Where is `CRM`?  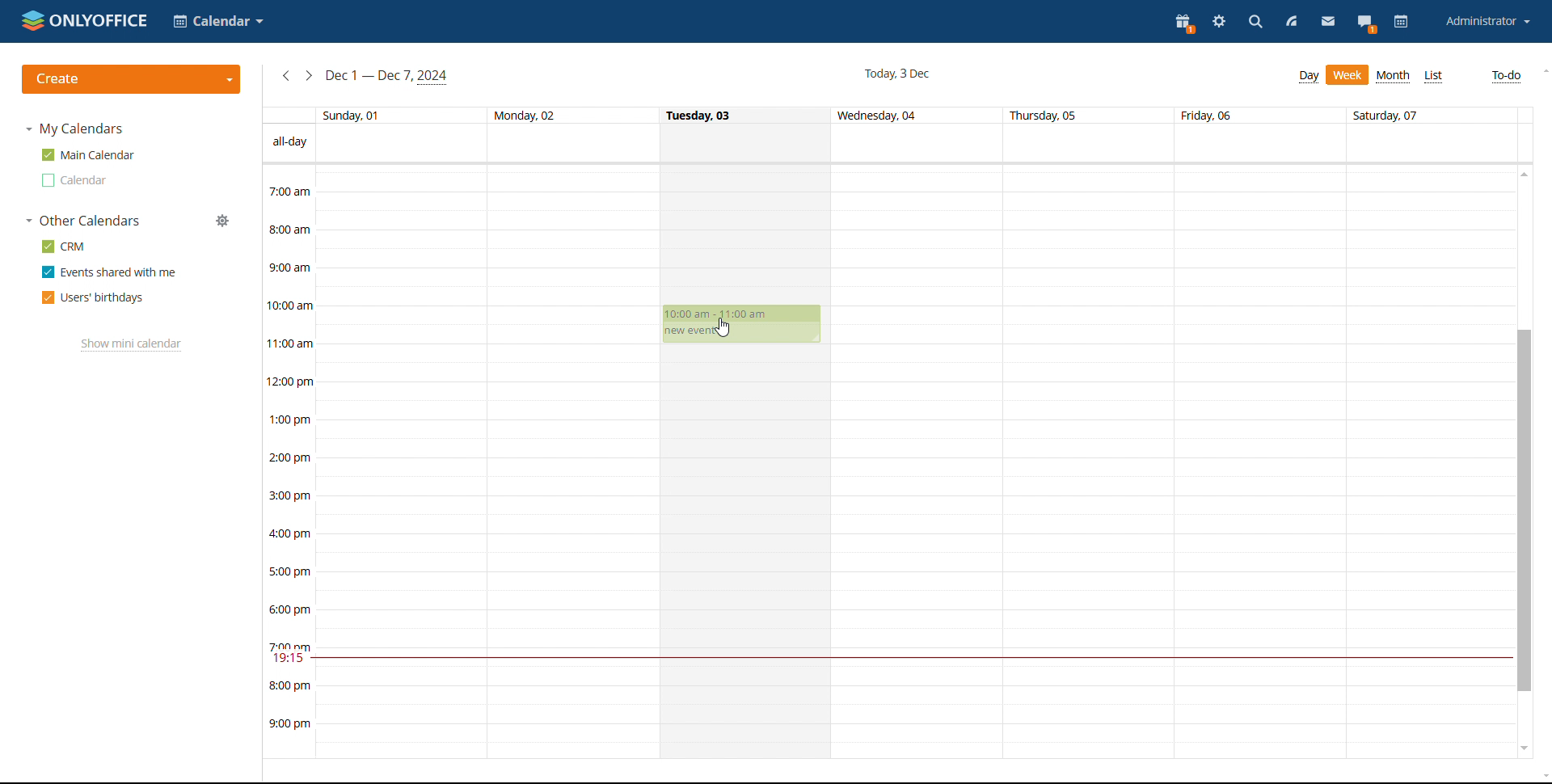
CRM is located at coordinates (63, 247).